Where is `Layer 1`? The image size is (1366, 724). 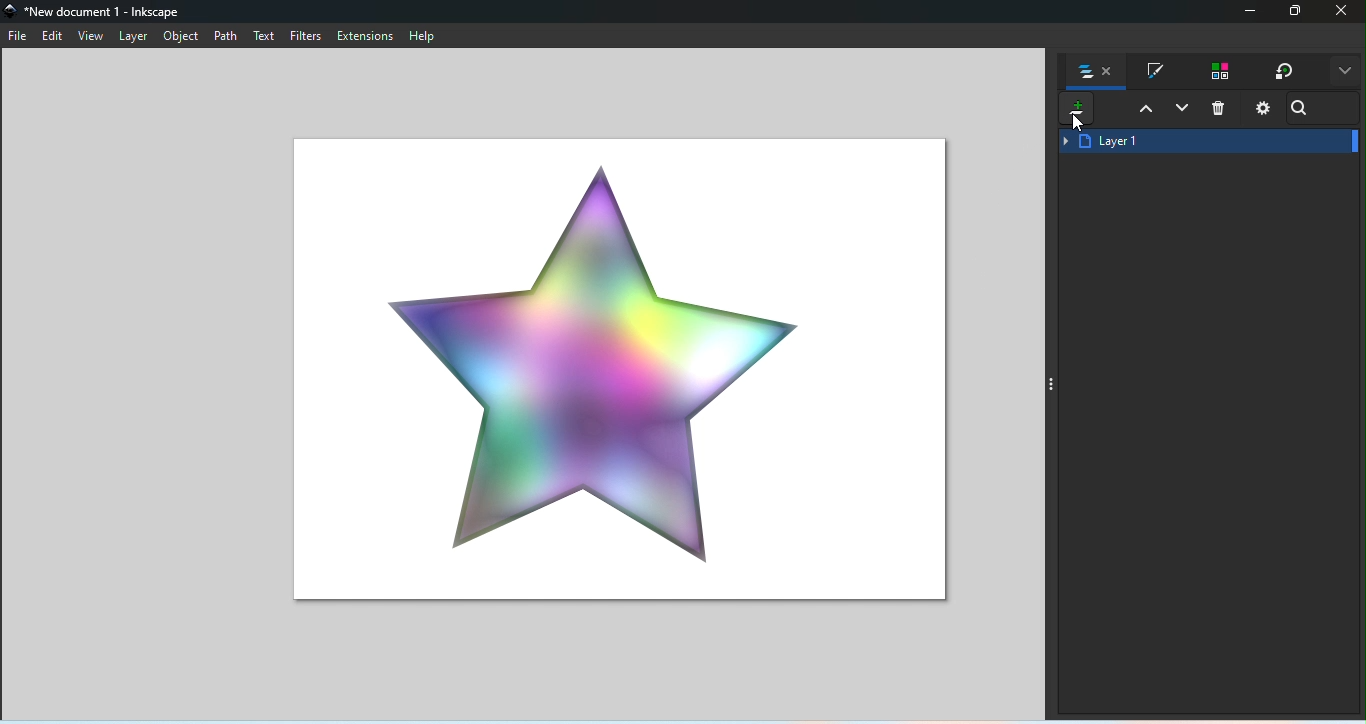 Layer 1 is located at coordinates (1208, 142).